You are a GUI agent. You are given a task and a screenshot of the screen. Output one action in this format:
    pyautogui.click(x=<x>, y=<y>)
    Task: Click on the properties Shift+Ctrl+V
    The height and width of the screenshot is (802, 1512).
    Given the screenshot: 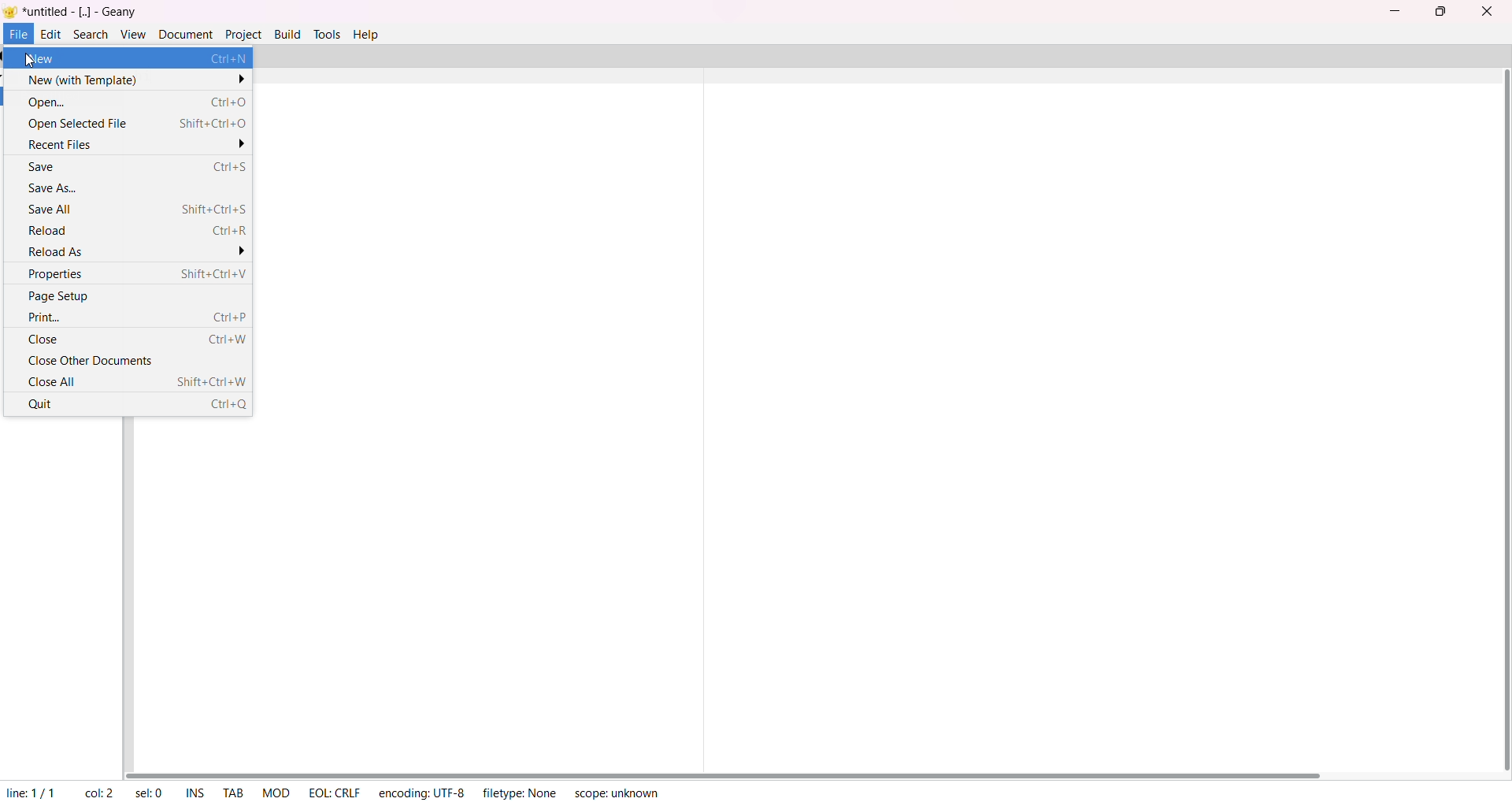 What is the action you would take?
    pyautogui.click(x=138, y=272)
    